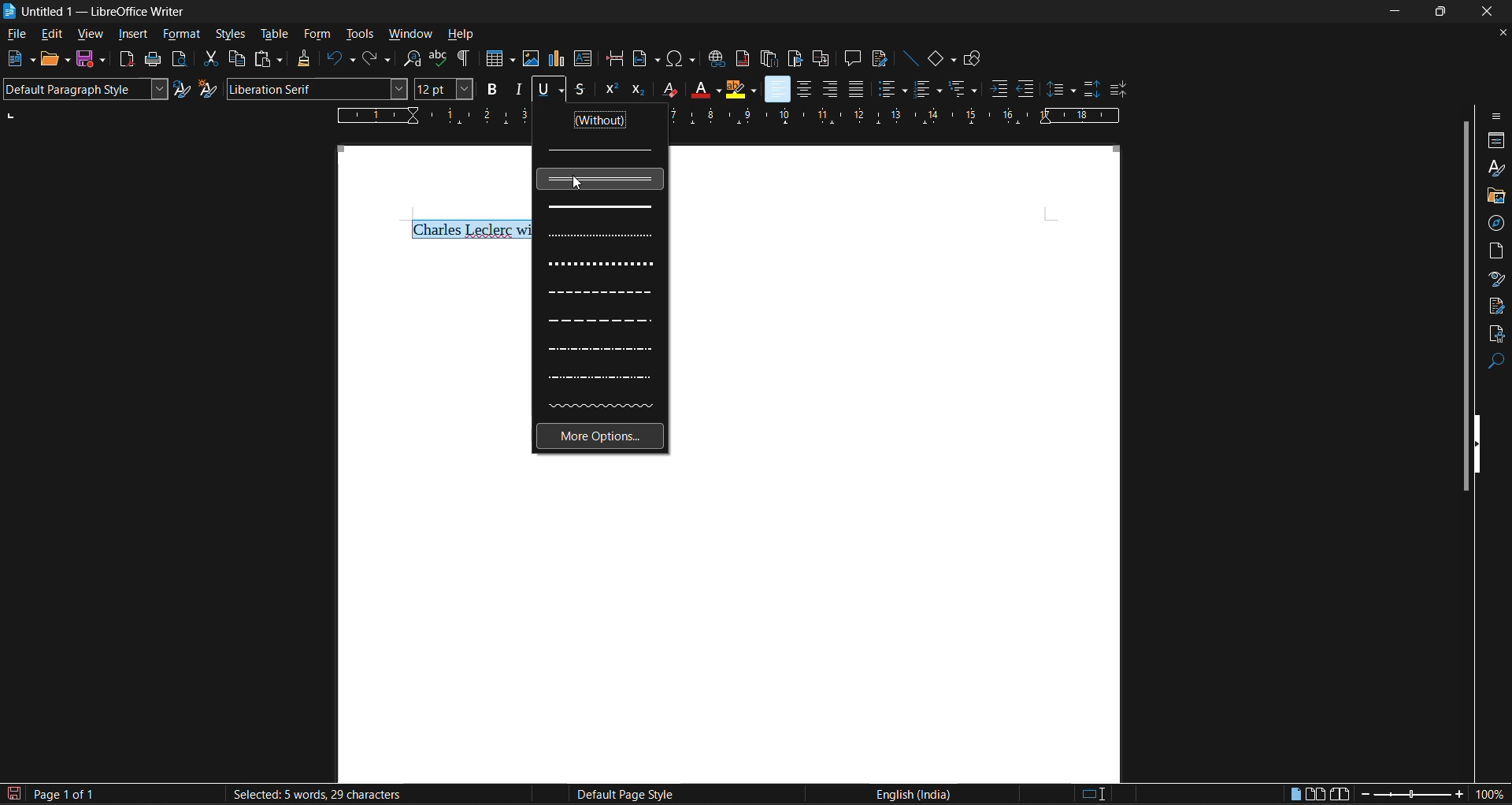 This screenshot has width=1512, height=805. Describe the element at coordinates (211, 57) in the screenshot. I see `cut` at that location.